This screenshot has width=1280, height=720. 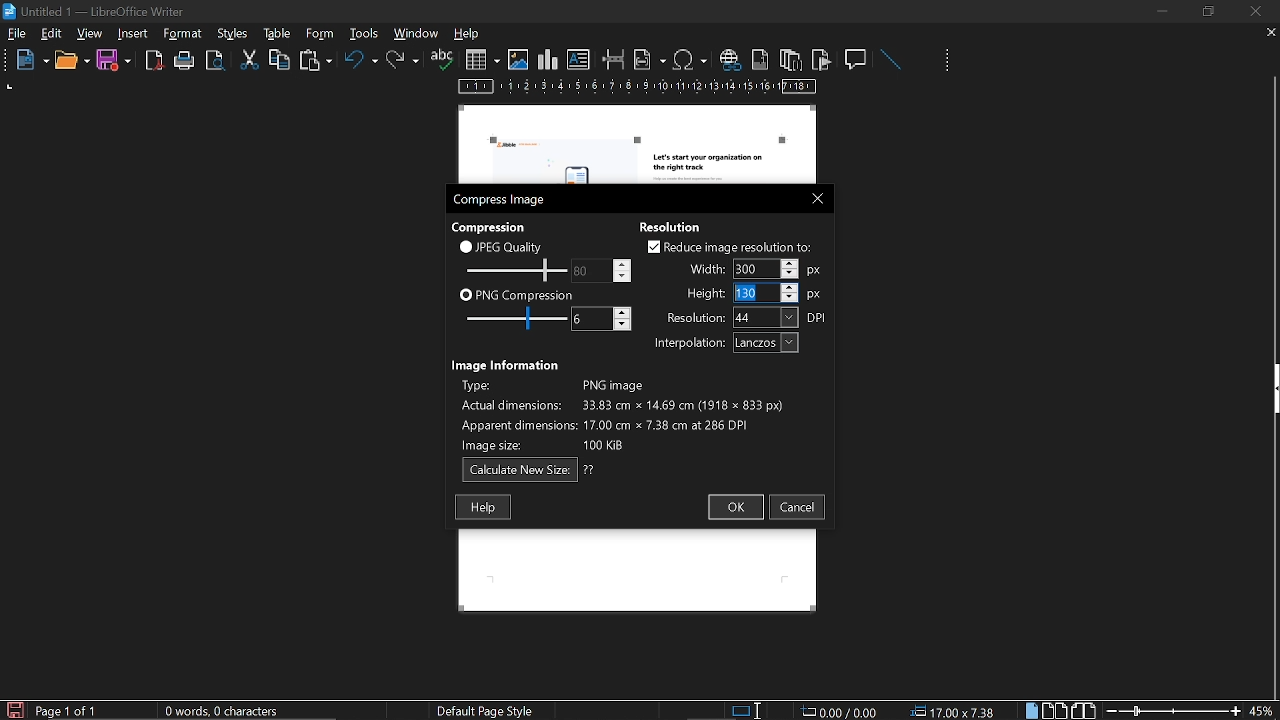 What do you see at coordinates (114, 61) in the screenshot?
I see `save` at bounding box center [114, 61].